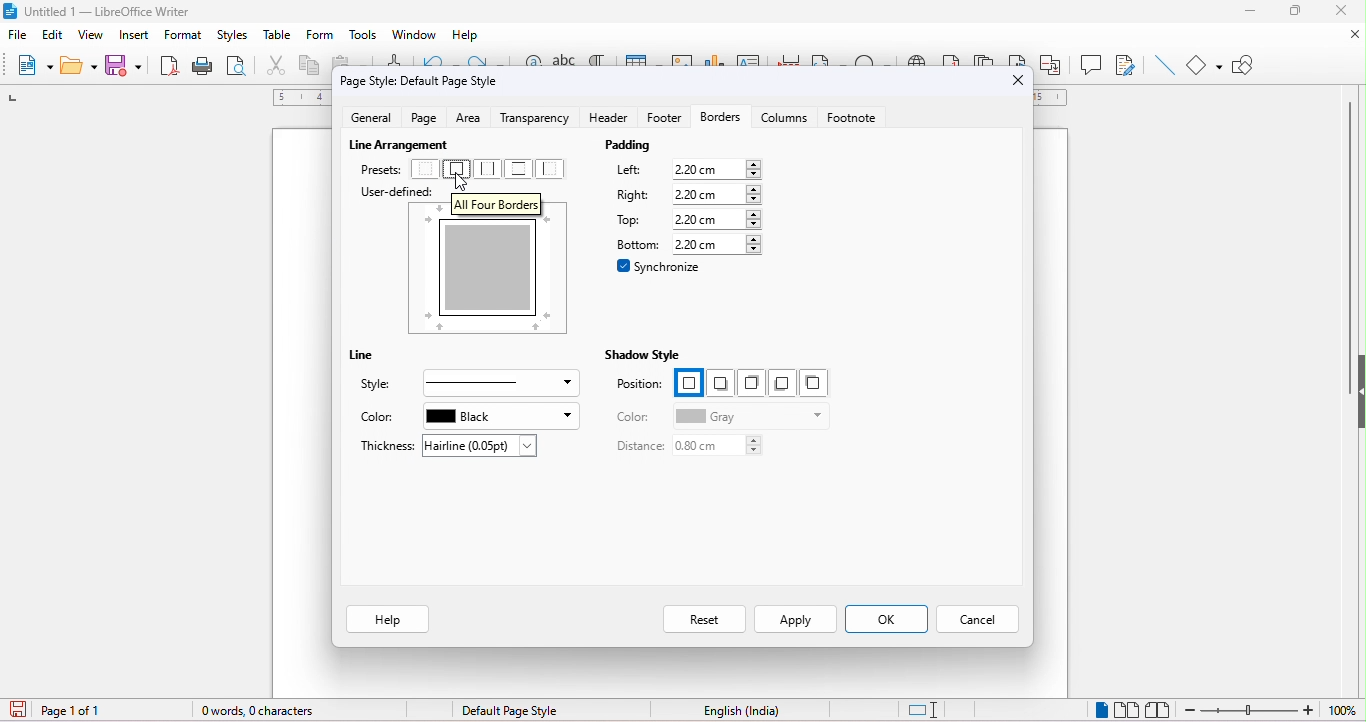  What do you see at coordinates (499, 203) in the screenshot?
I see `All Four Borders` at bounding box center [499, 203].